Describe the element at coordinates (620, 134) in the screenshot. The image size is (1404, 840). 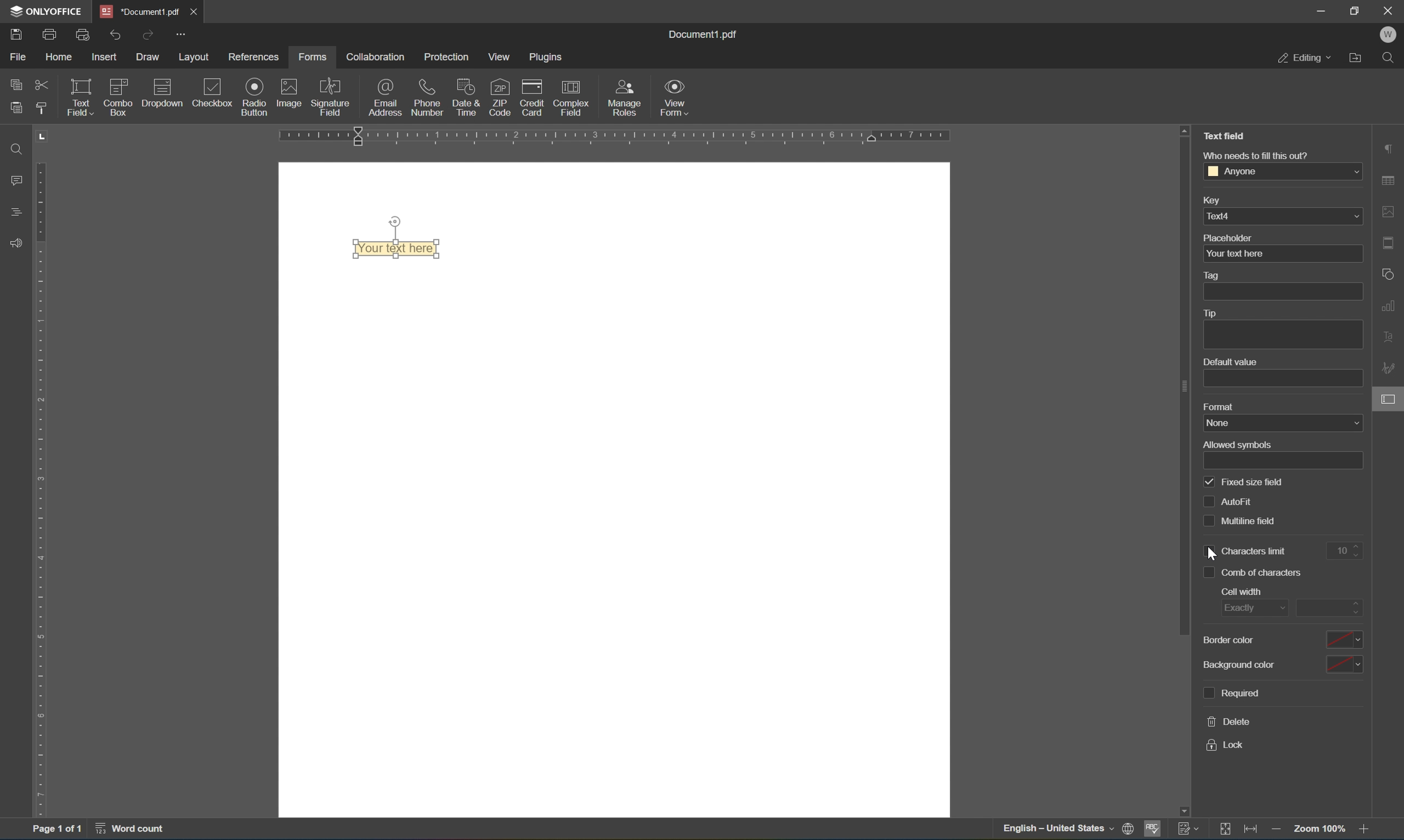
I see `ruler` at that location.